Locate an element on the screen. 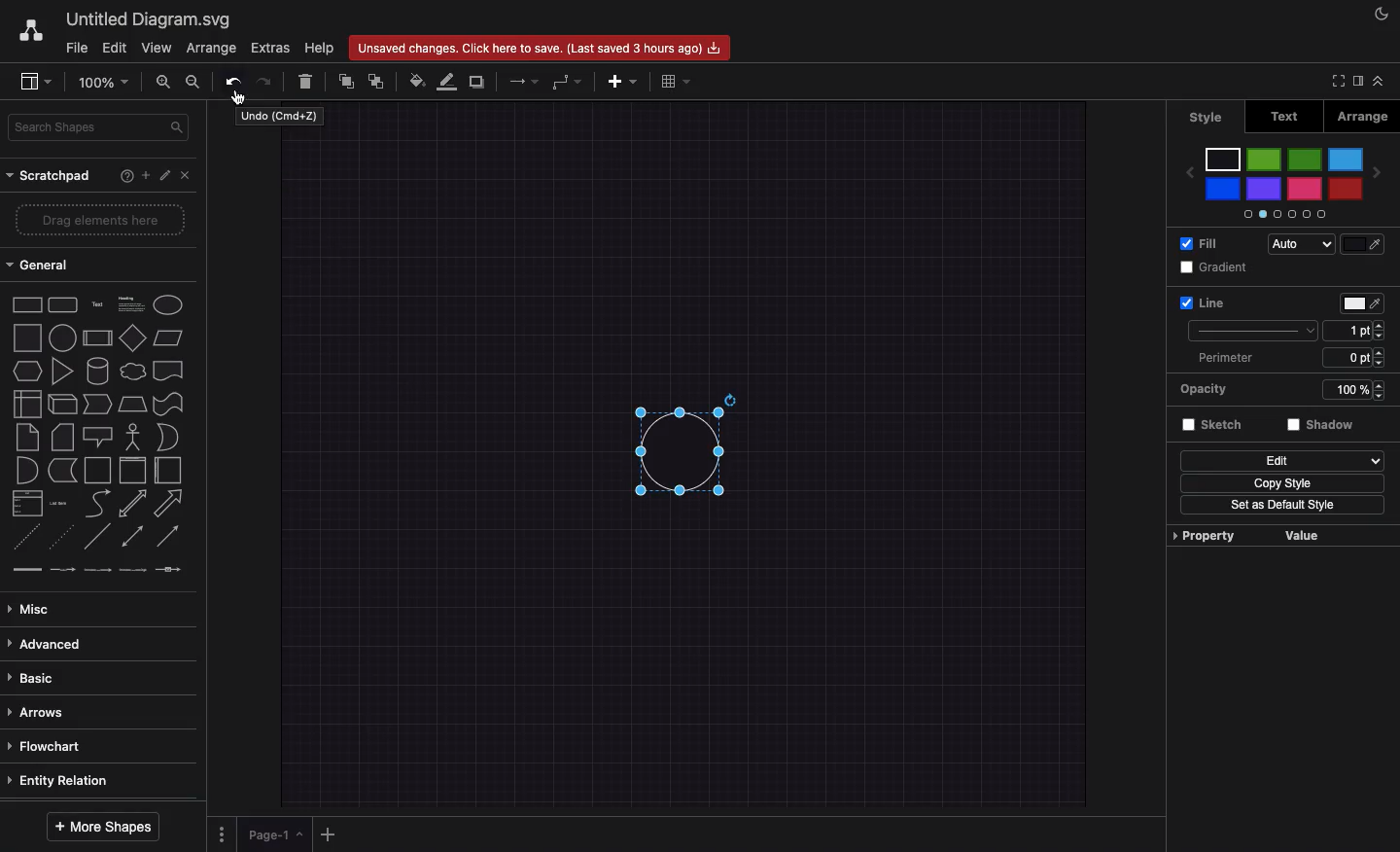  Style is located at coordinates (1207, 118).